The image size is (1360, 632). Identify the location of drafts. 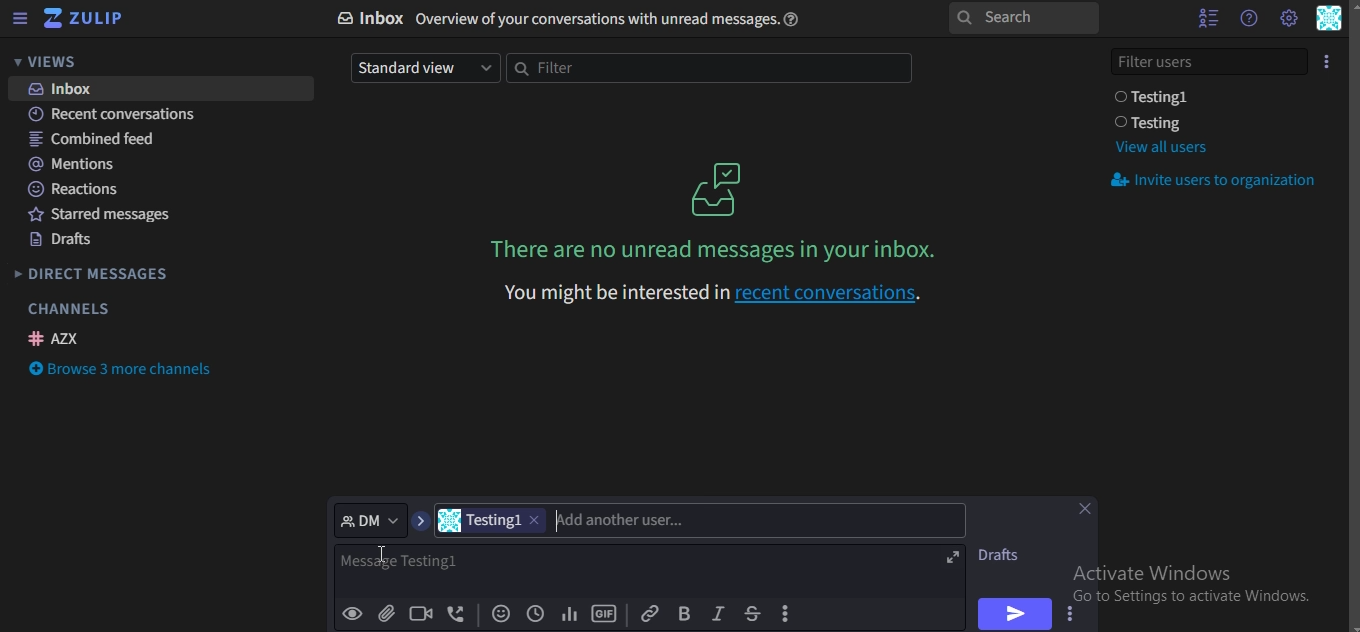
(63, 242).